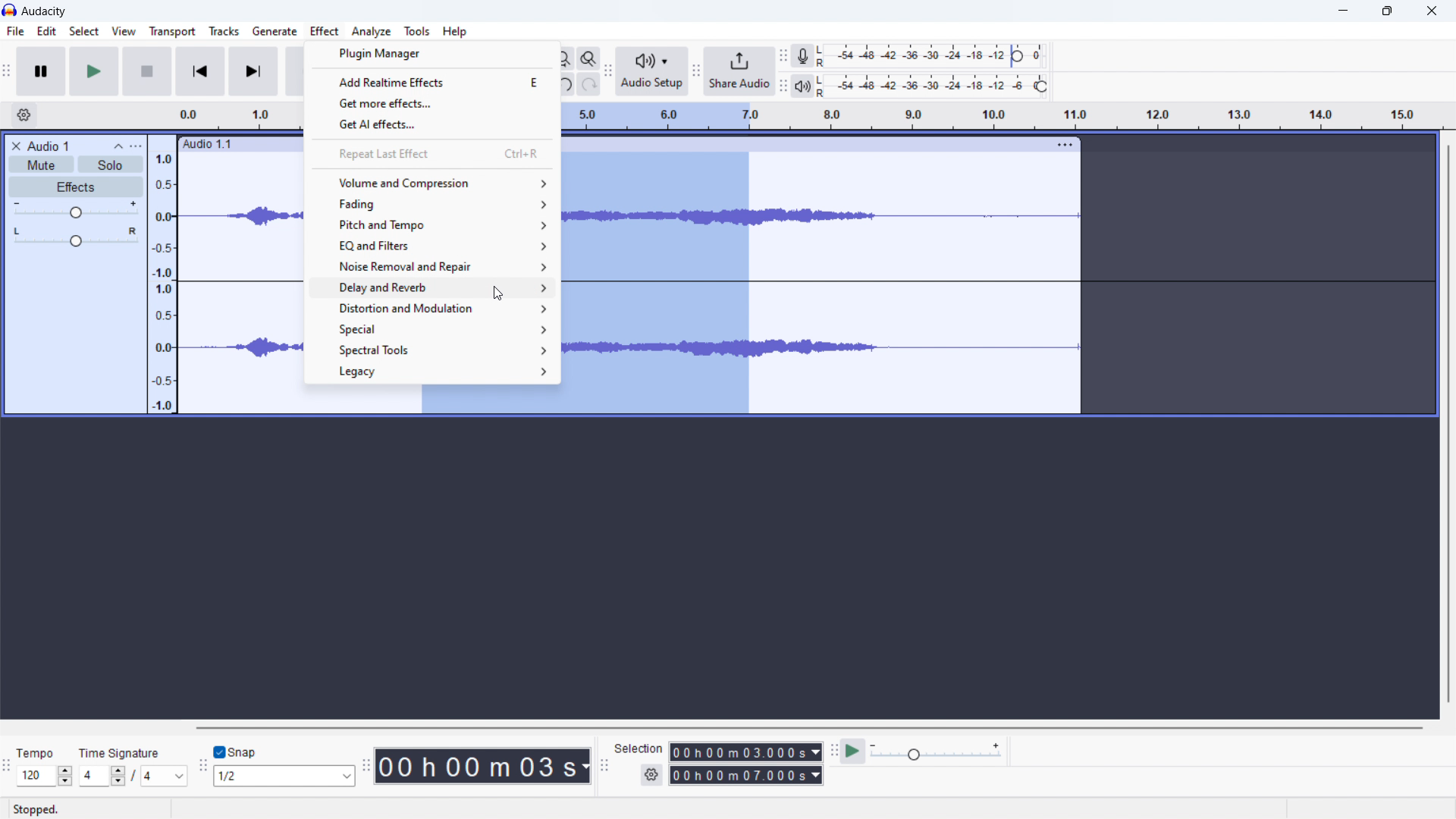 The height and width of the screenshot is (819, 1456). Describe the element at coordinates (918, 282) in the screenshot. I see `track selected` at that location.